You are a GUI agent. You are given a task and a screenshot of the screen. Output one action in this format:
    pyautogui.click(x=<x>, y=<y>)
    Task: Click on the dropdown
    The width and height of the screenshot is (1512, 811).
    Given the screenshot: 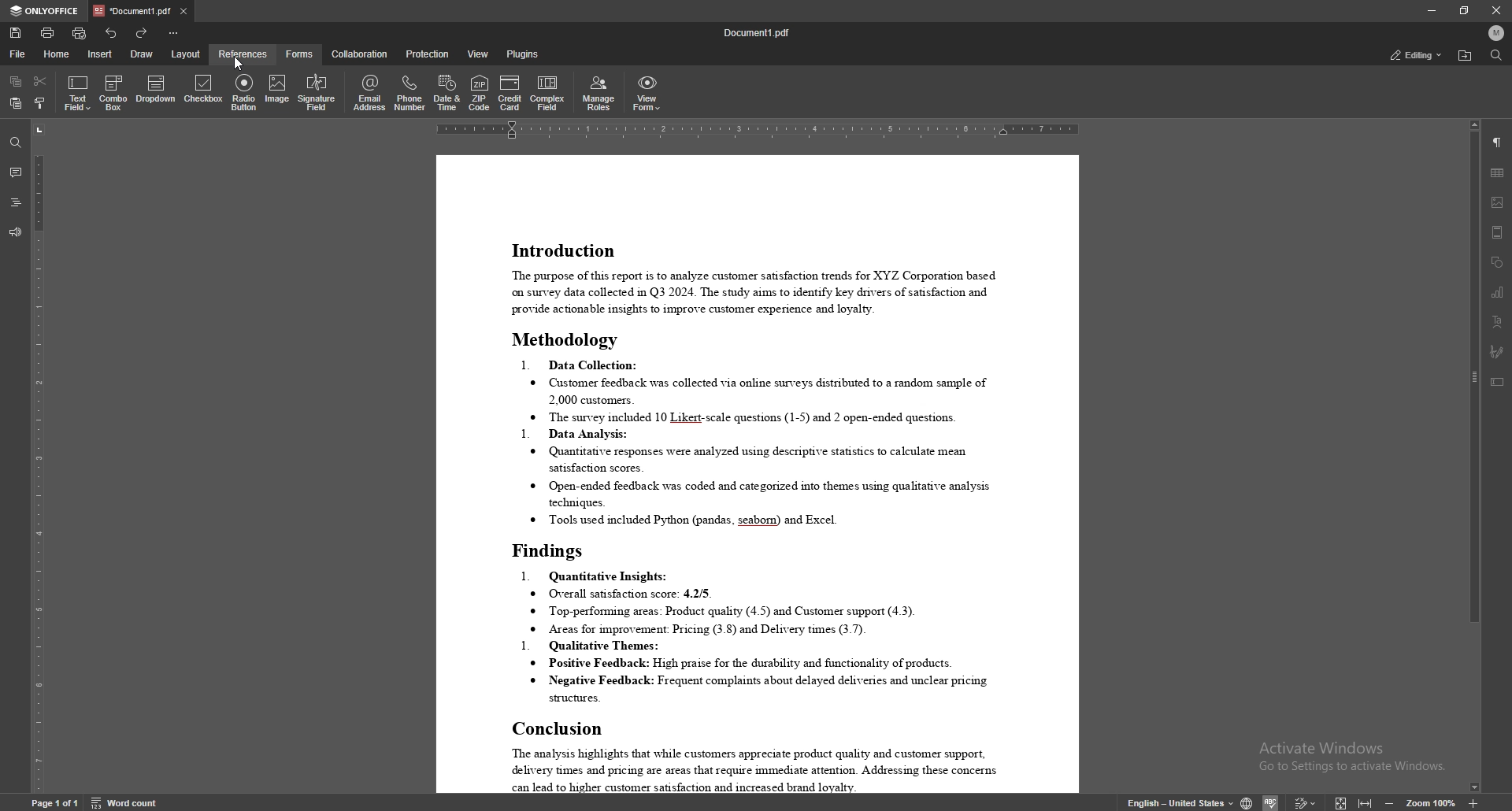 What is the action you would take?
    pyautogui.click(x=156, y=91)
    